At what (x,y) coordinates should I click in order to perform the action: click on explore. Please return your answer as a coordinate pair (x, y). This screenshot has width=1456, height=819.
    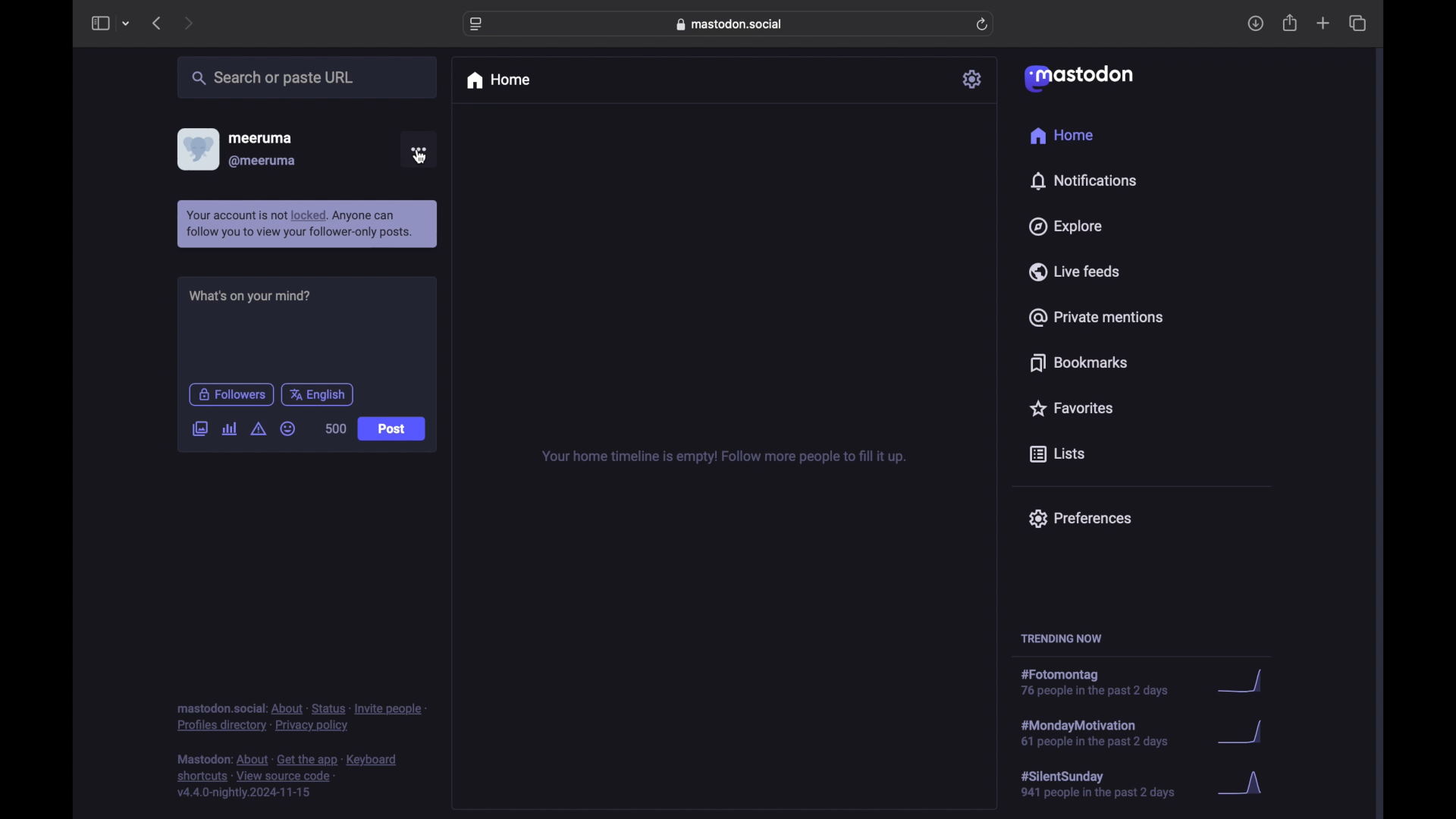
    Looking at the image, I should click on (1068, 226).